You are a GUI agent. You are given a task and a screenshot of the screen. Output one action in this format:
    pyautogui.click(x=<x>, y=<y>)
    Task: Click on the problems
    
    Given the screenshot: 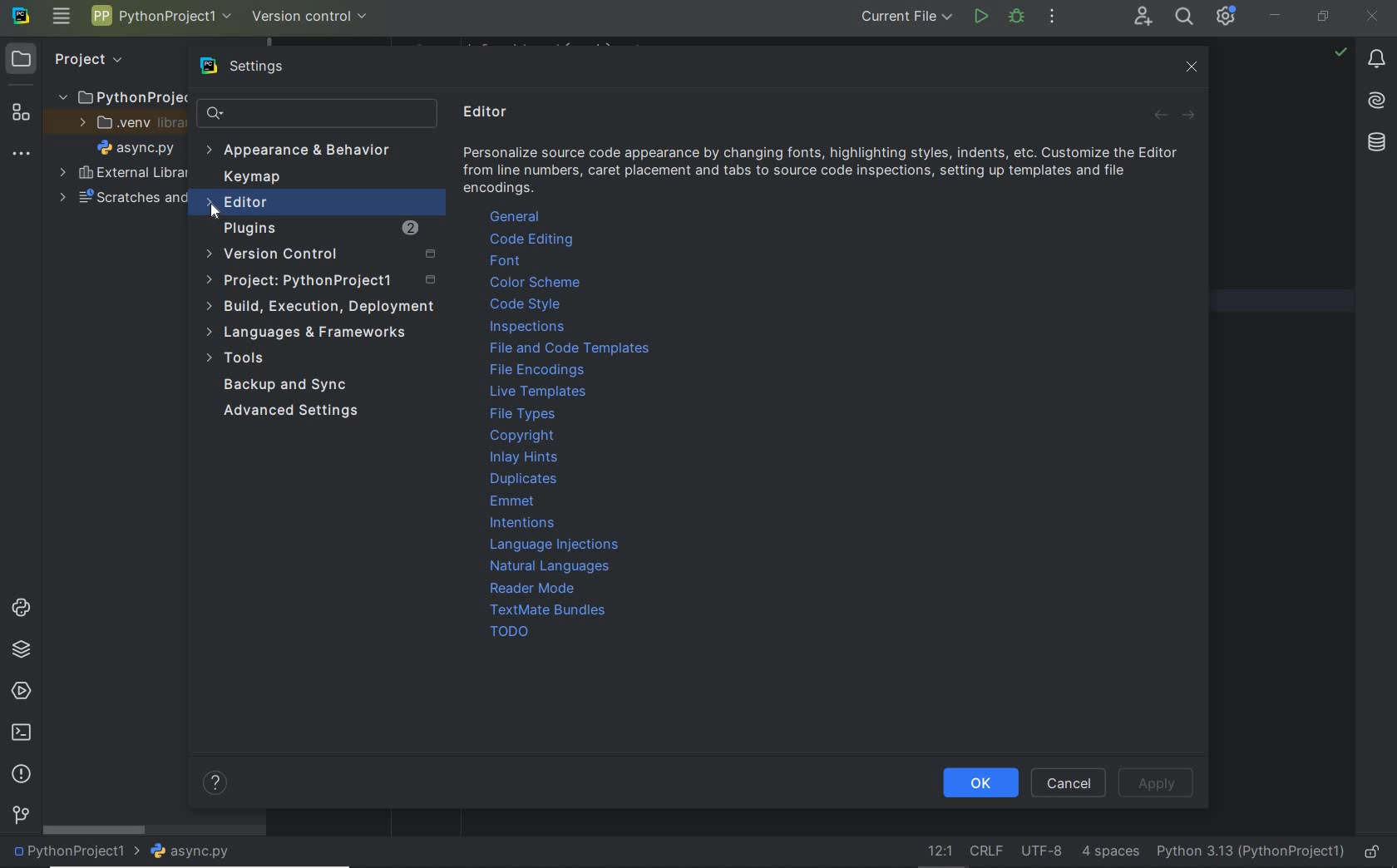 What is the action you would take?
    pyautogui.click(x=21, y=774)
    